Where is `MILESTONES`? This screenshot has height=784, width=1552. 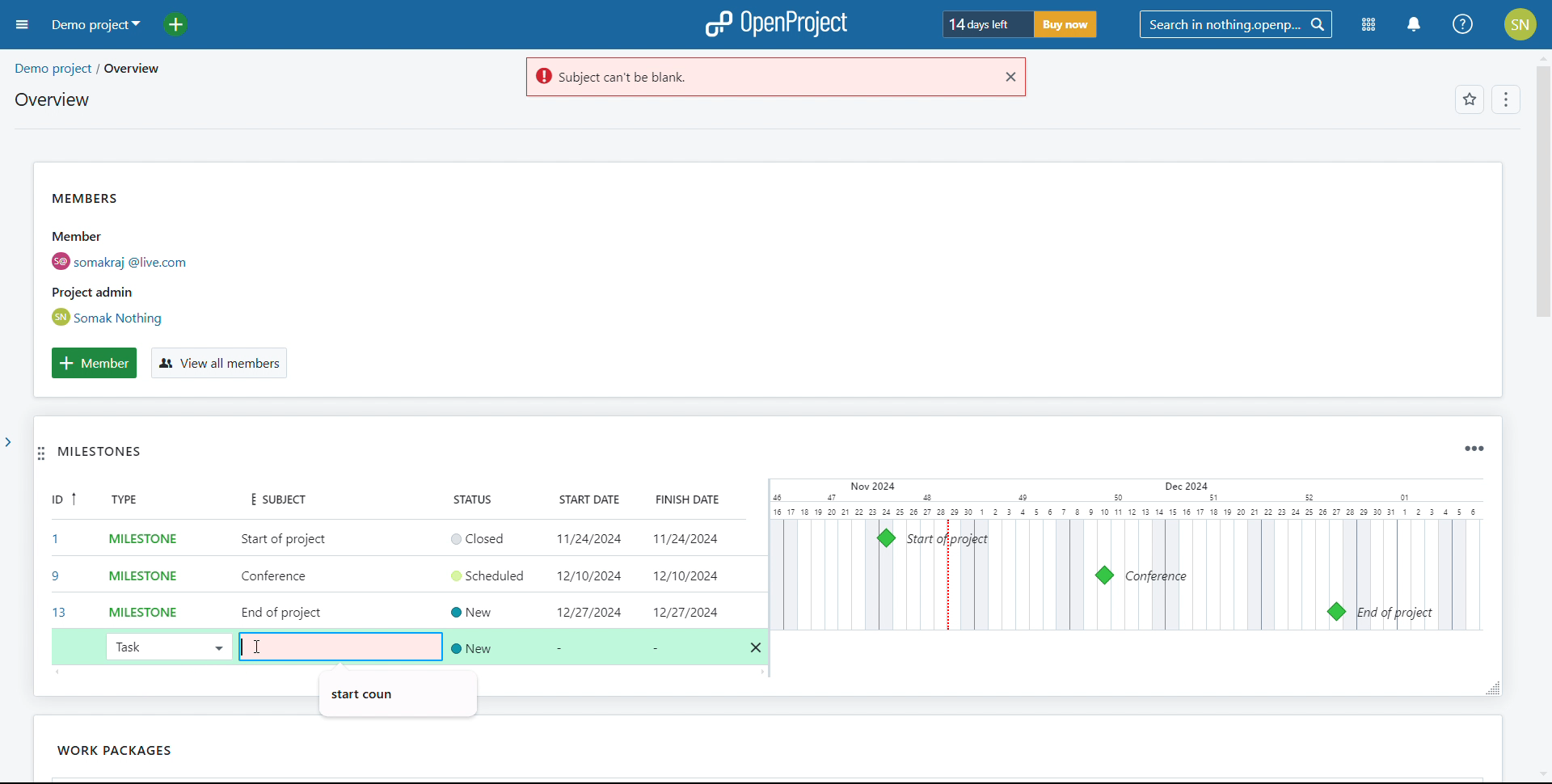
MILESTONES is located at coordinates (120, 456).